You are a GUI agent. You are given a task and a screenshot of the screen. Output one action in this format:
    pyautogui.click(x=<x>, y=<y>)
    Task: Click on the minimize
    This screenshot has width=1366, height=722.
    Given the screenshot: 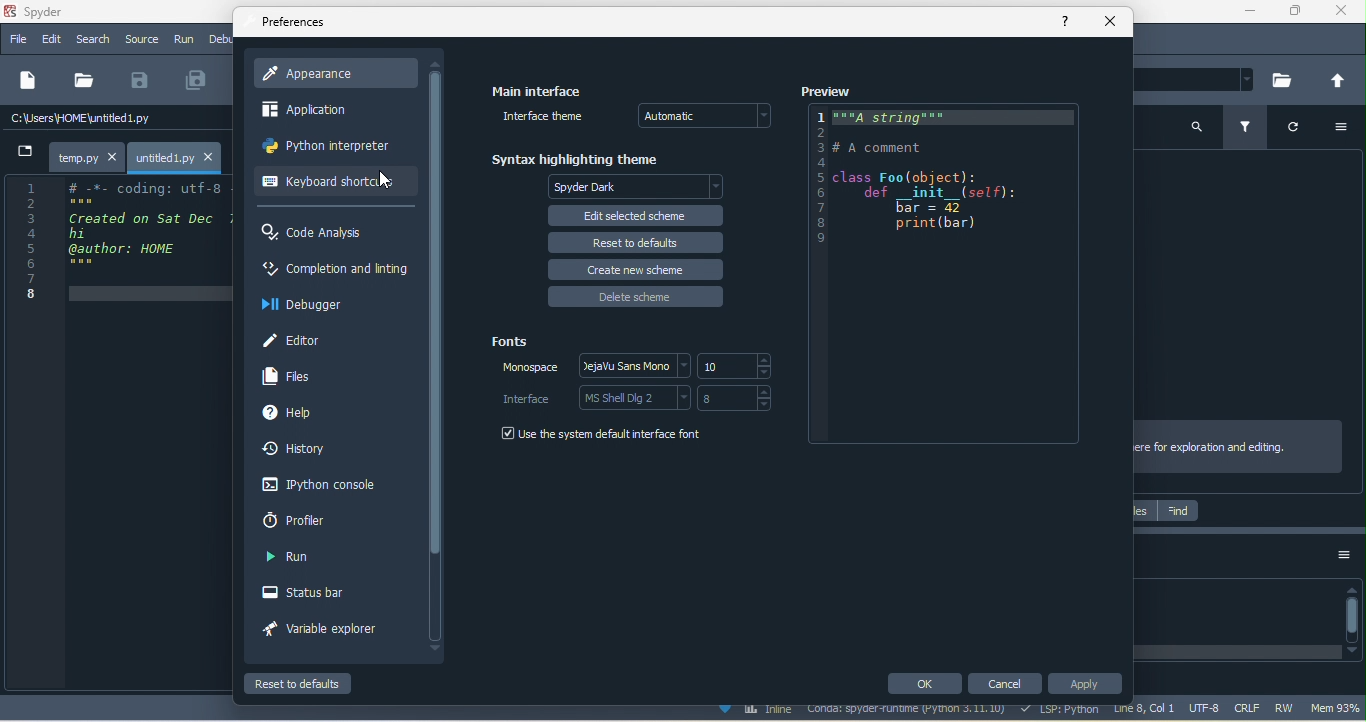 What is the action you would take?
    pyautogui.click(x=1255, y=13)
    